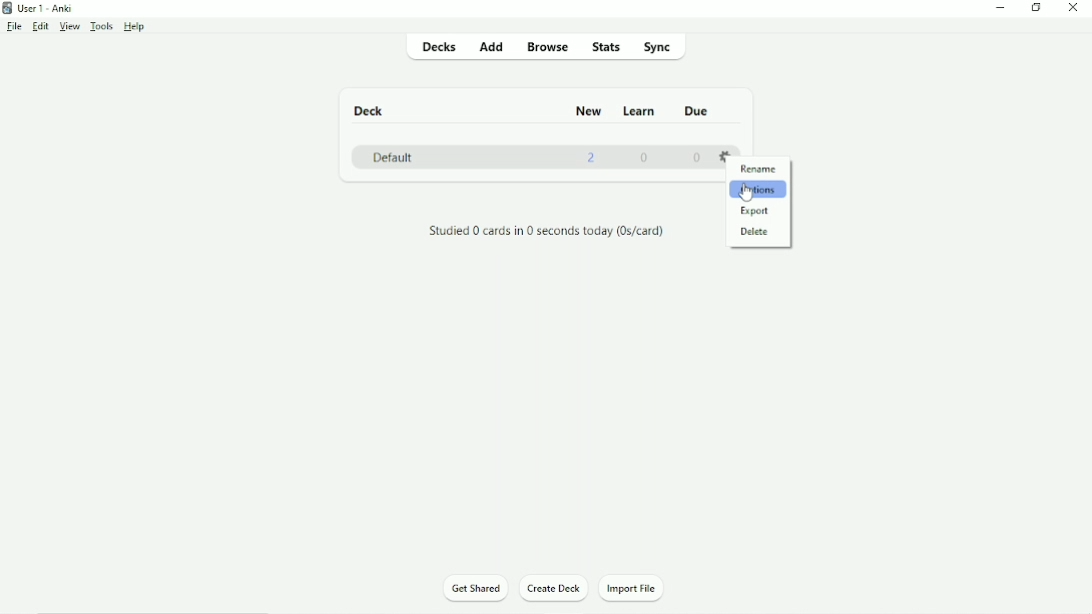 The width and height of the screenshot is (1092, 614). Describe the element at coordinates (659, 48) in the screenshot. I see `Sync` at that location.